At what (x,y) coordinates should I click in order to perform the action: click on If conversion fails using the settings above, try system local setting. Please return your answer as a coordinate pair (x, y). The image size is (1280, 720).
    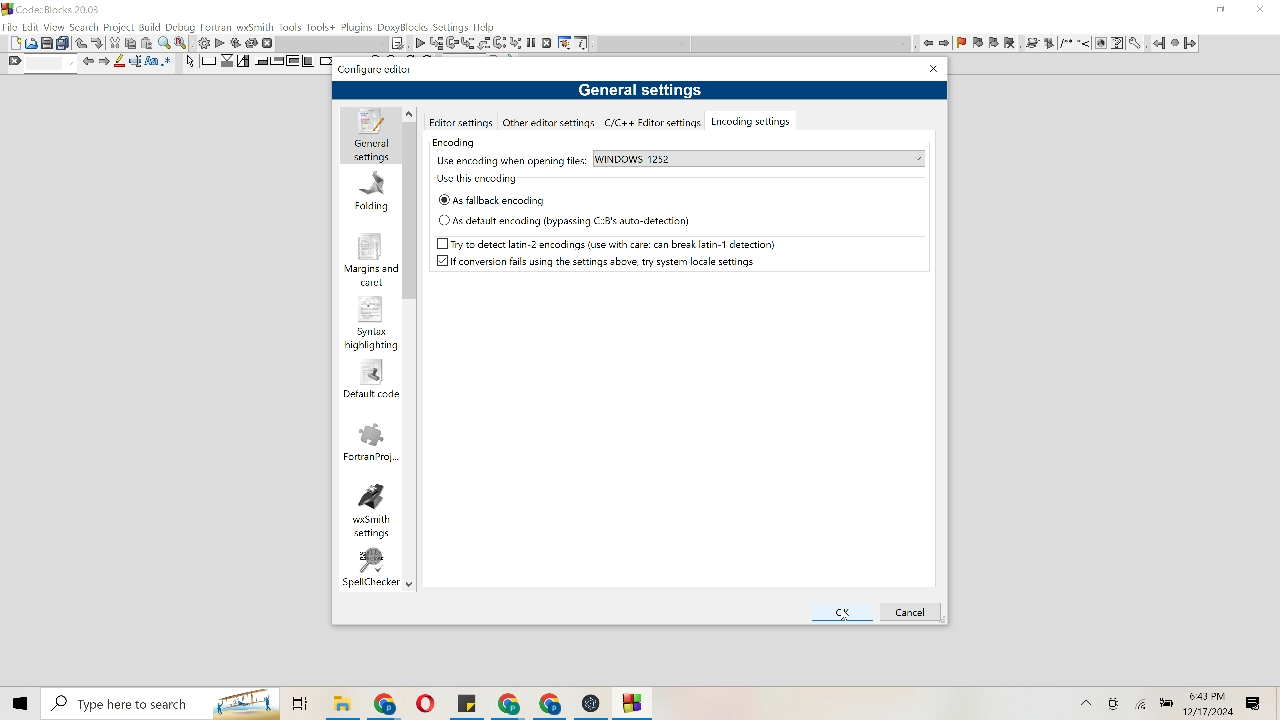
    Looking at the image, I should click on (605, 262).